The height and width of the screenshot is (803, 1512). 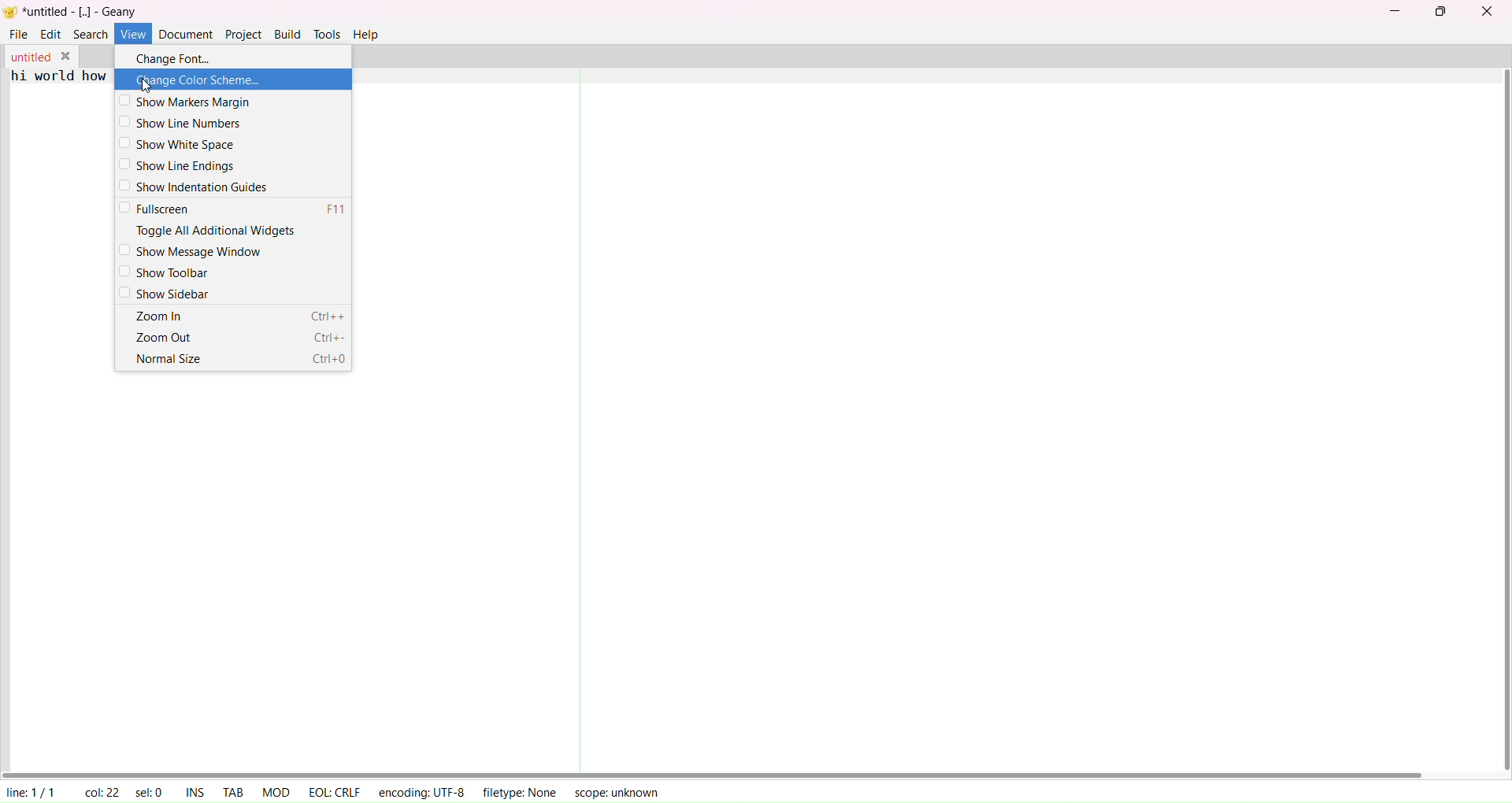 What do you see at coordinates (240, 338) in the screenshot?
I see `zoom out` at bounding box center [240, 338].